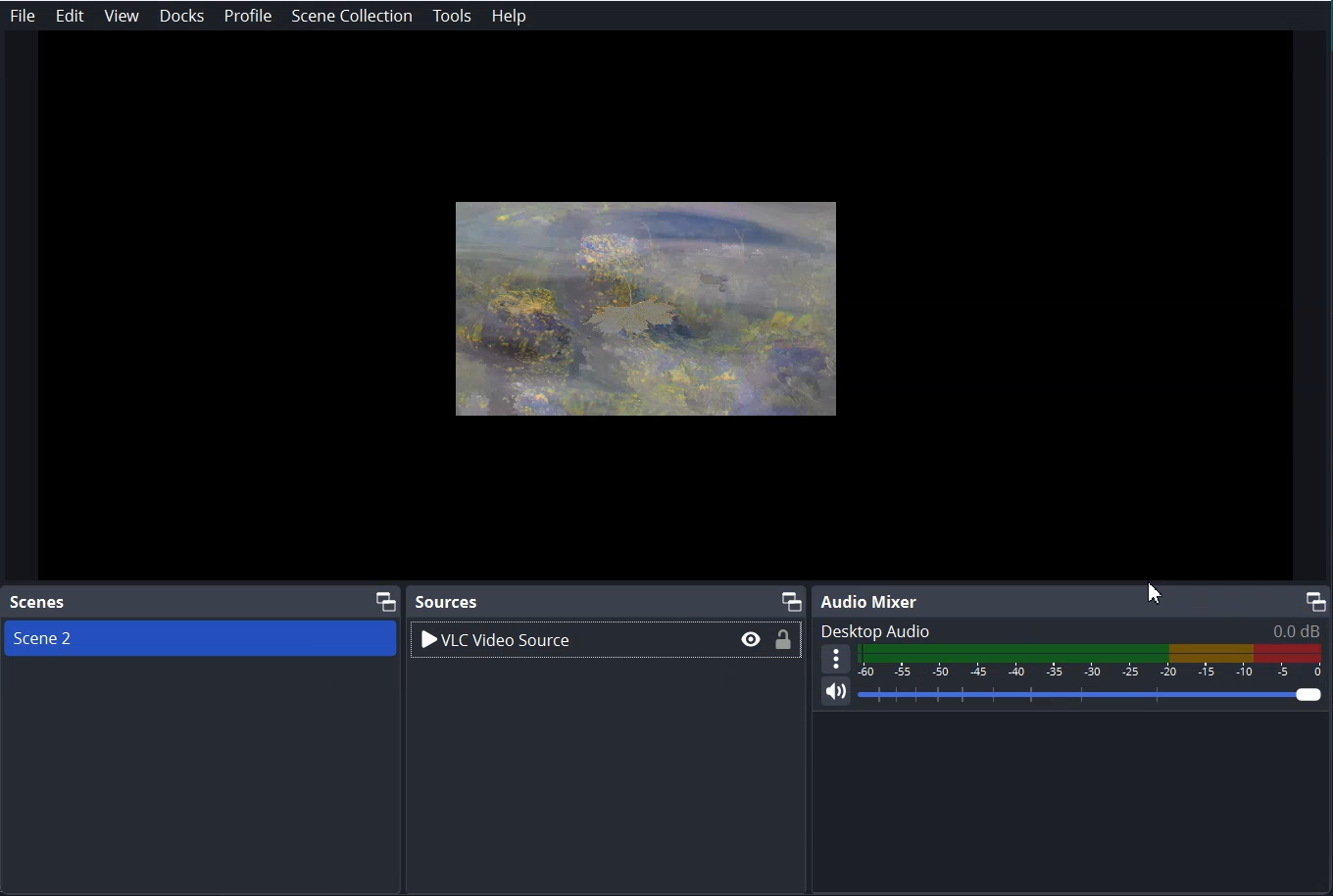 The height and width of the screenshot is (896, 1333). Describe the element at coordinates (452, 17) in the screenshot. I see `Tools` at that location.